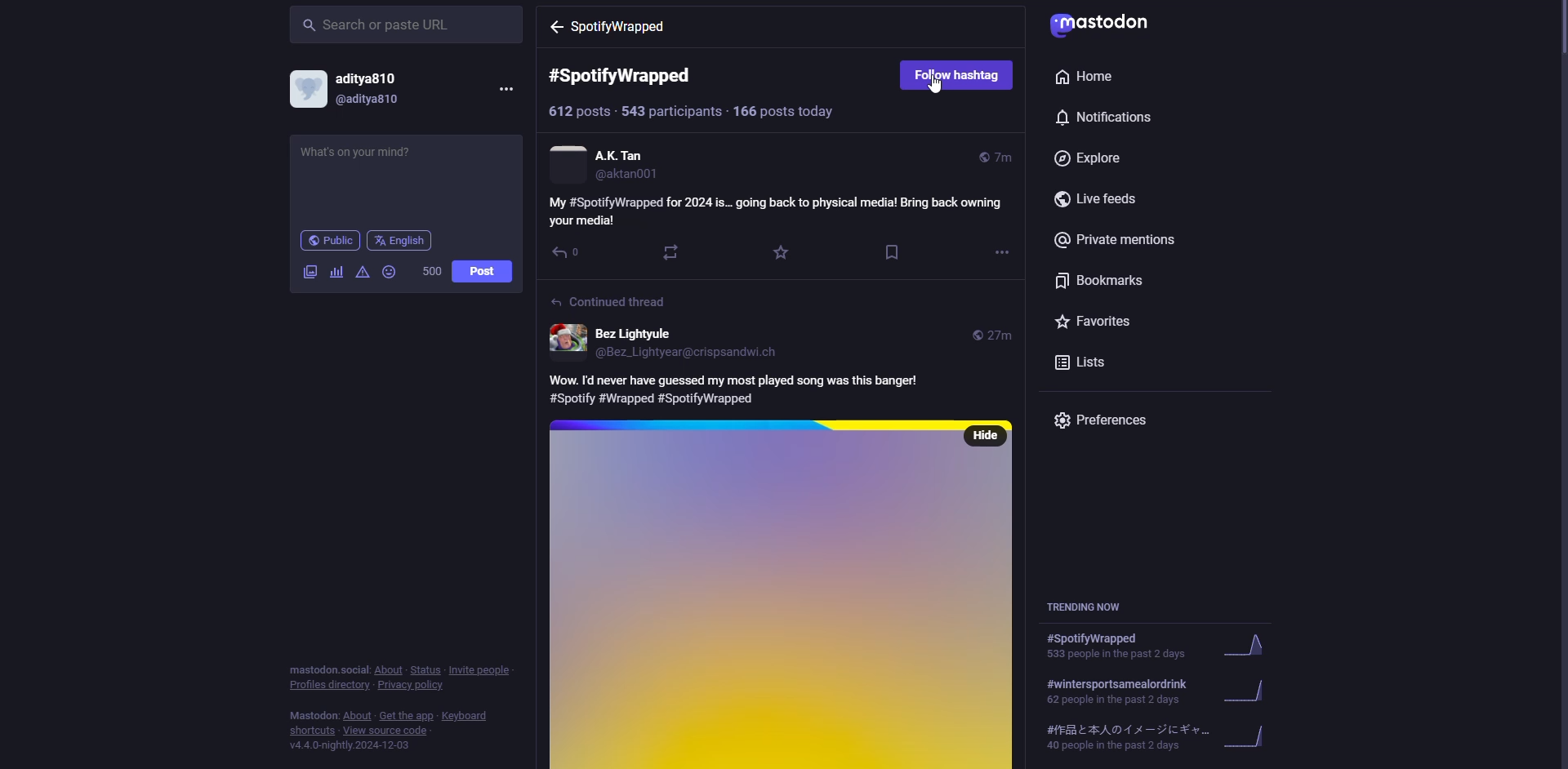 Image resolution: width=1568 pixels, height=769 pixels. Describe the element at coordinates (403, 241) in the screenshot. I see `english` at that location.